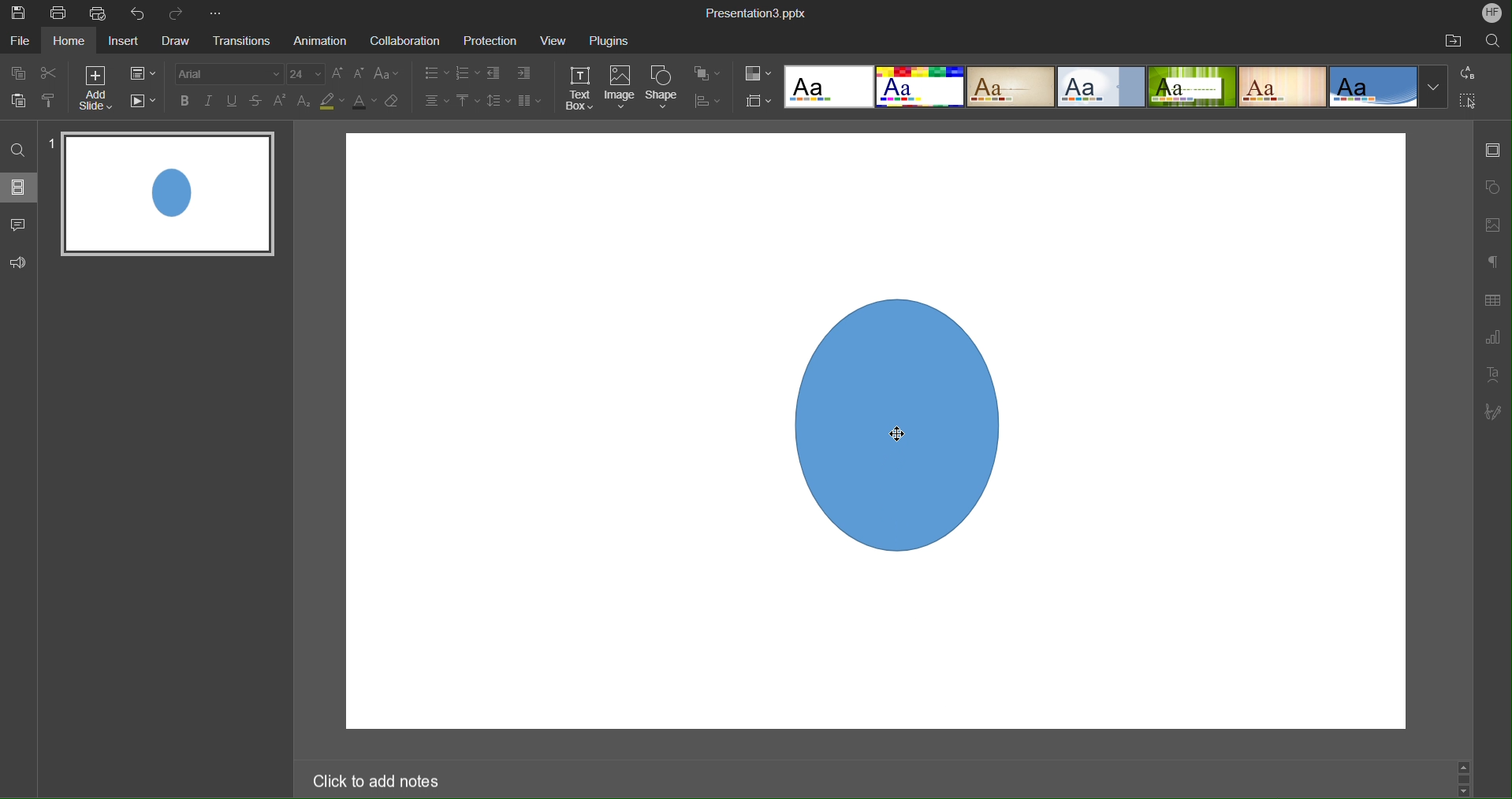  What do you see at coordinates (184, 102) in the screenshot?
I see `Bold` at bounding box center [184, 102].